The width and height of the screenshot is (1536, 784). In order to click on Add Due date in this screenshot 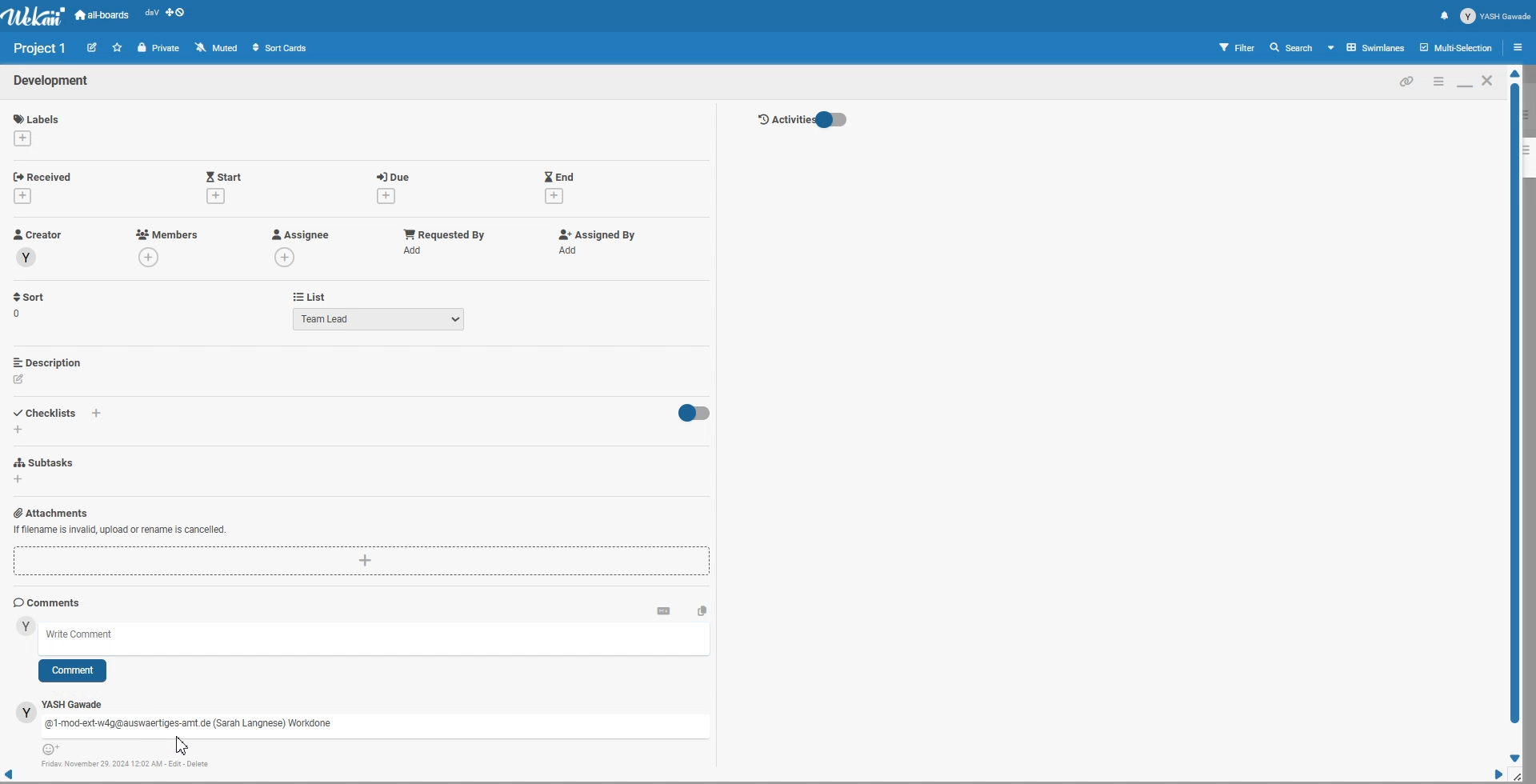, I will do `click(395, 174)`.